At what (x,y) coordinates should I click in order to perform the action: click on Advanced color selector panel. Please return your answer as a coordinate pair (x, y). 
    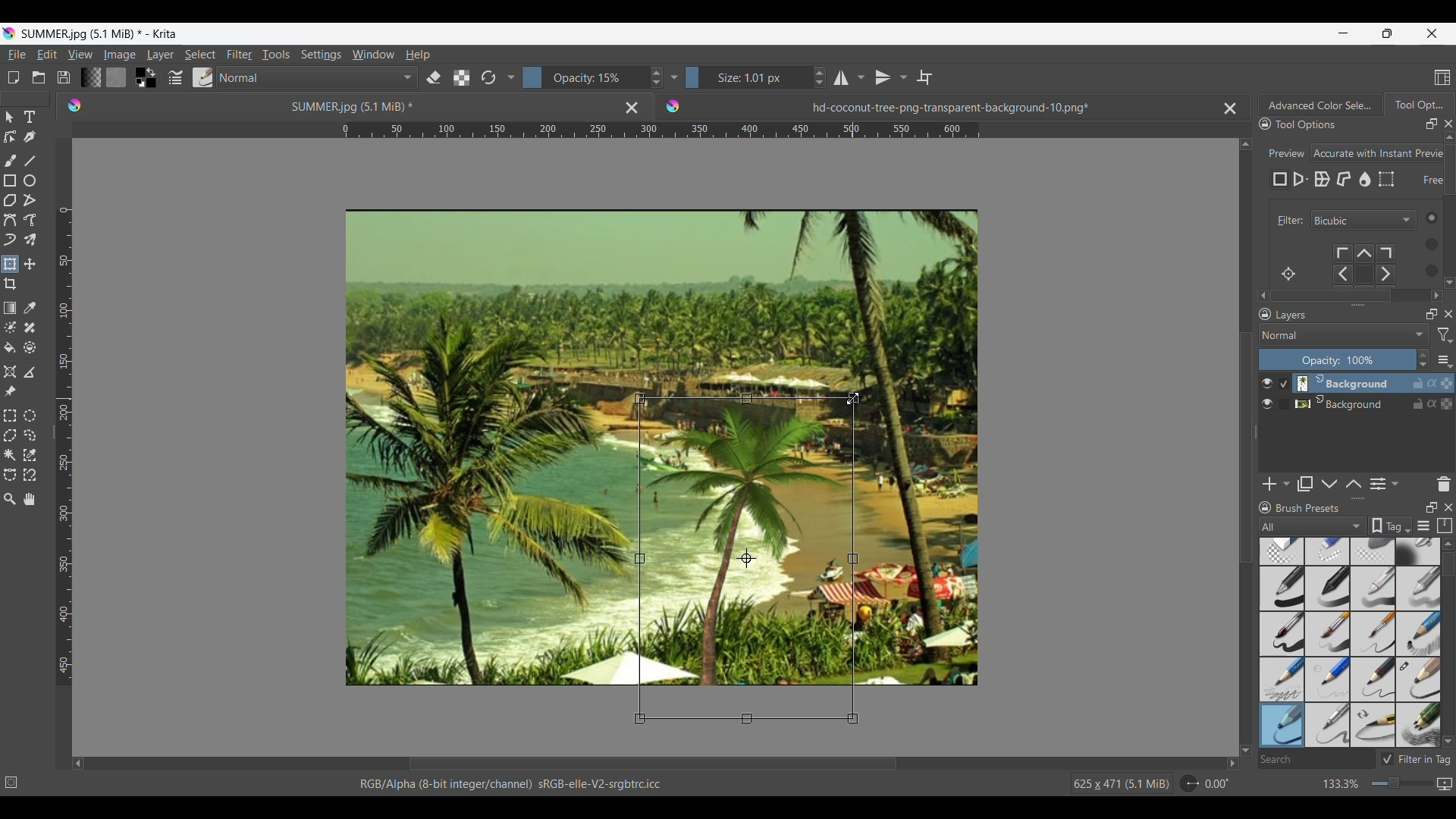
    Looking at the image, I should click on (1320, 105).